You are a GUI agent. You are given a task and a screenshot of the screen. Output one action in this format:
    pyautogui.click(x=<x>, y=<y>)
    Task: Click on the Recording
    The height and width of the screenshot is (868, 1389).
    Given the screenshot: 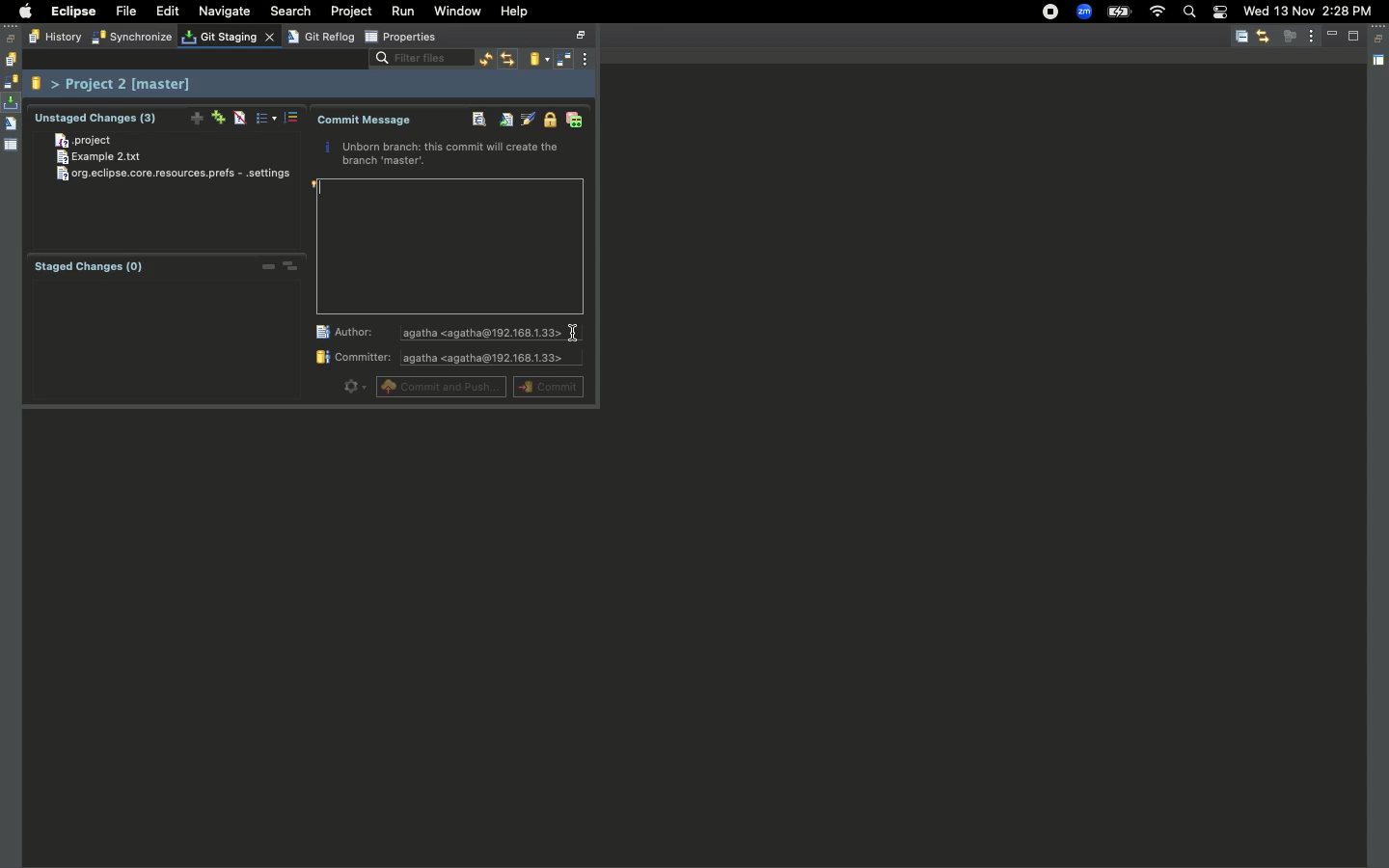 What is the action you would take?
    pyautogui.click(x=1051, y=12)
    